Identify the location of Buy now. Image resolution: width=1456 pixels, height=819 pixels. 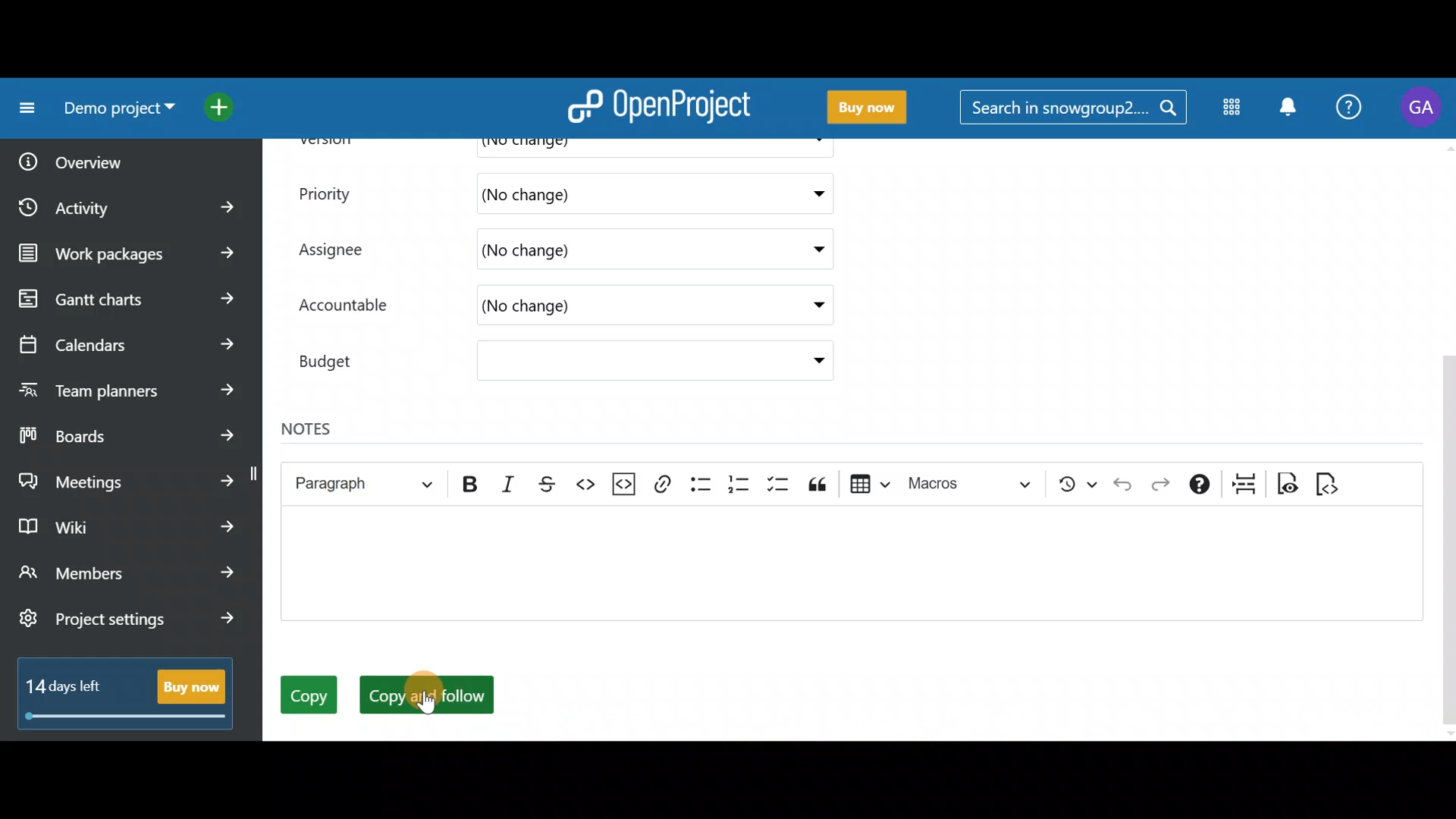
(860, 108).